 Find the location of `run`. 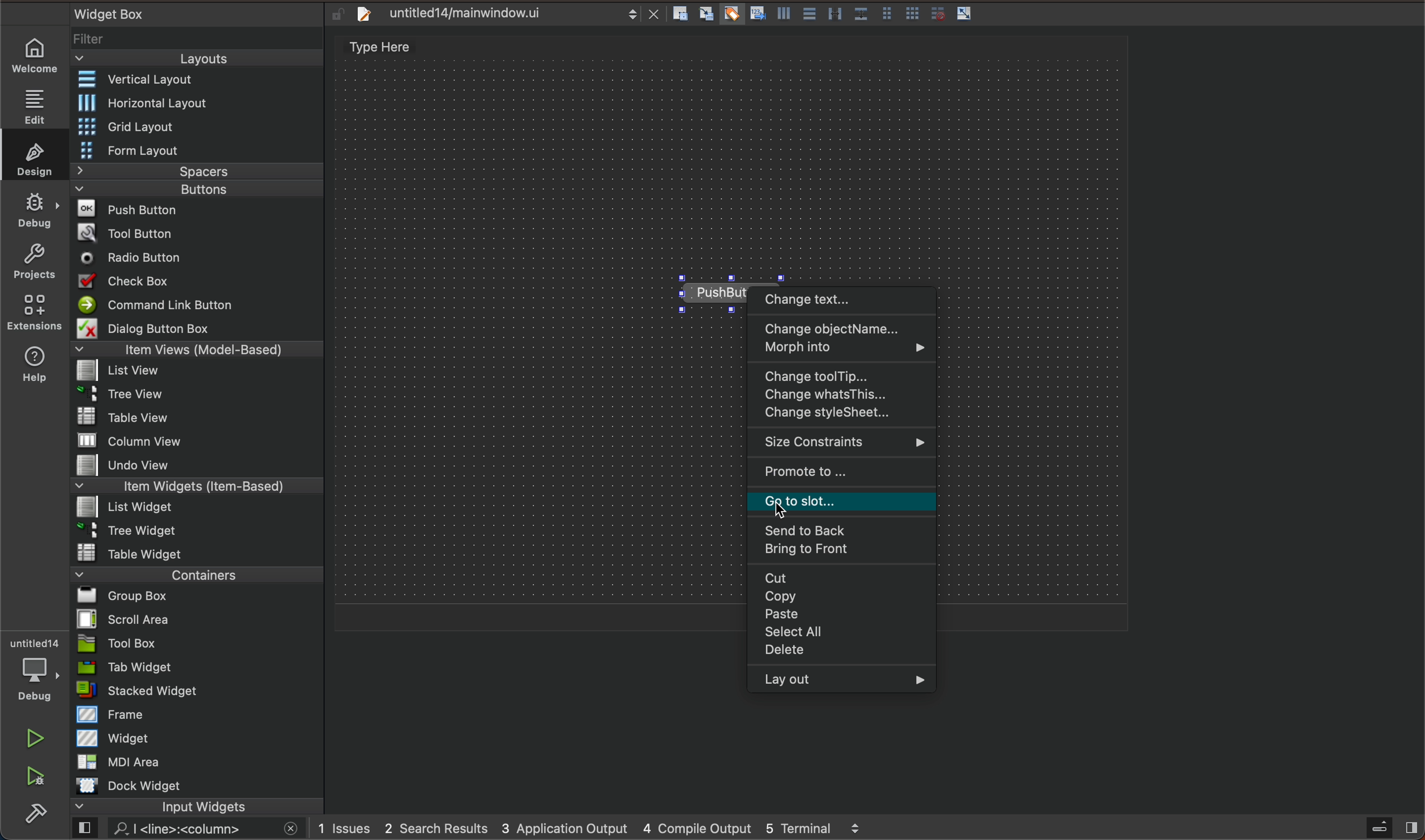

run is located at coordinates (33, 738).